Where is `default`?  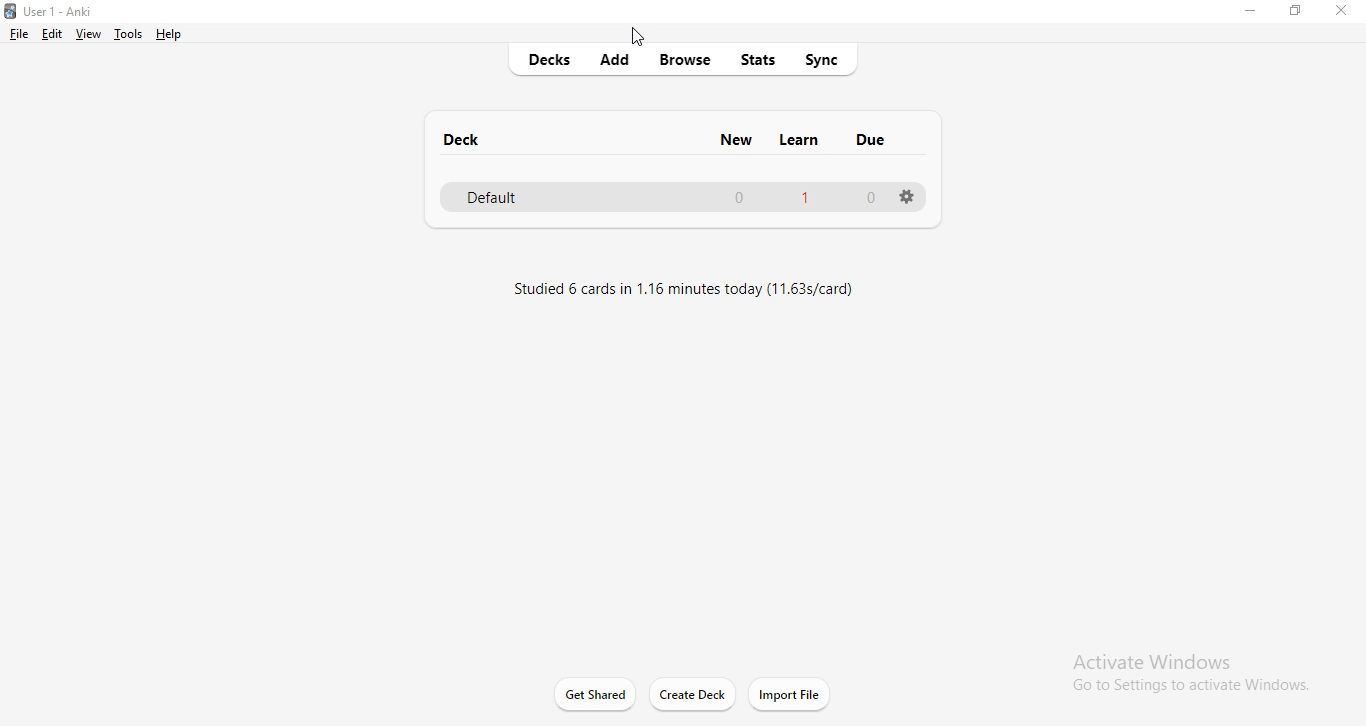
default is located at coordinates (504, 199).